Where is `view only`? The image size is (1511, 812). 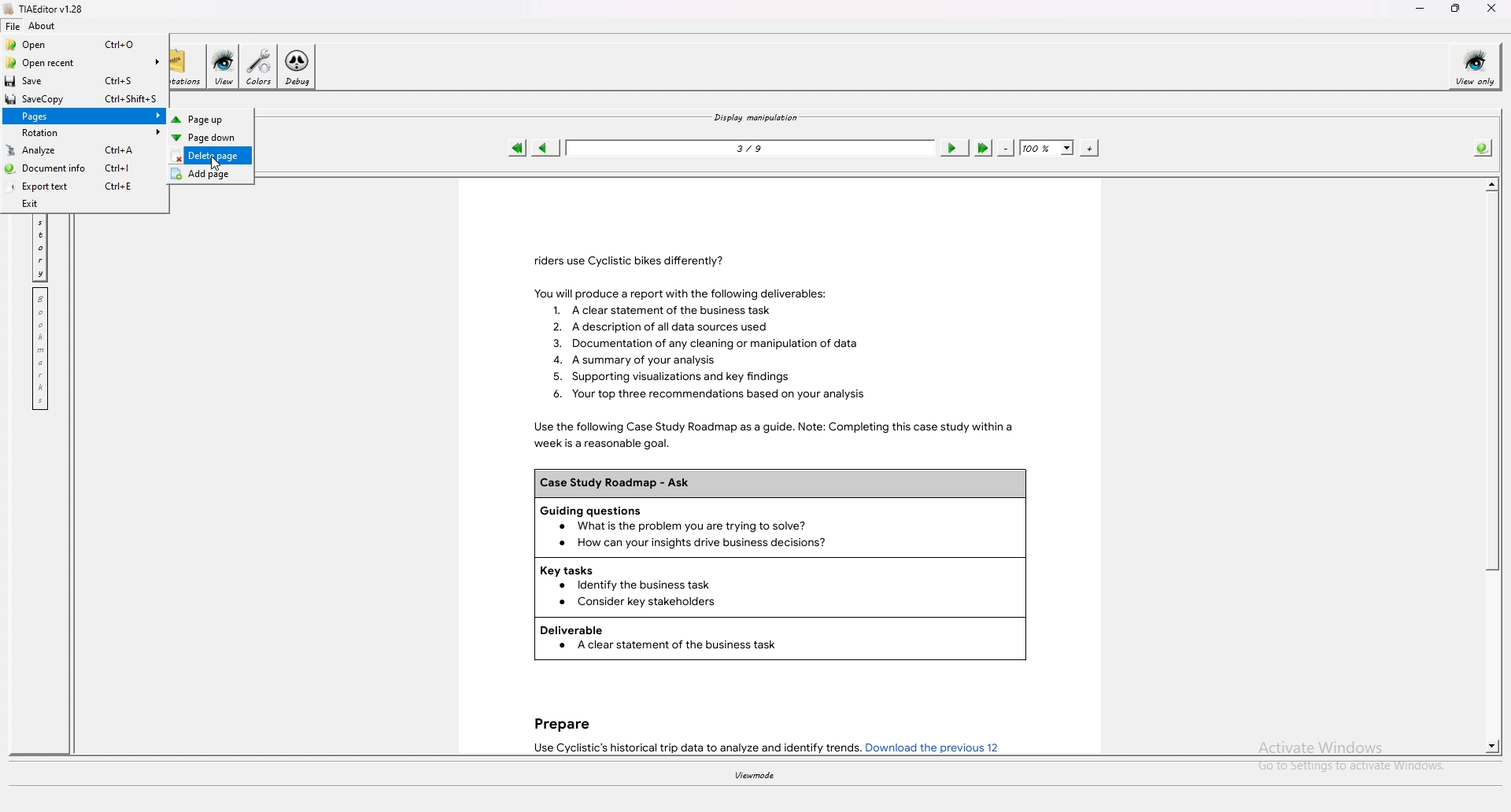 view only is located at coordinates (1475, 66).